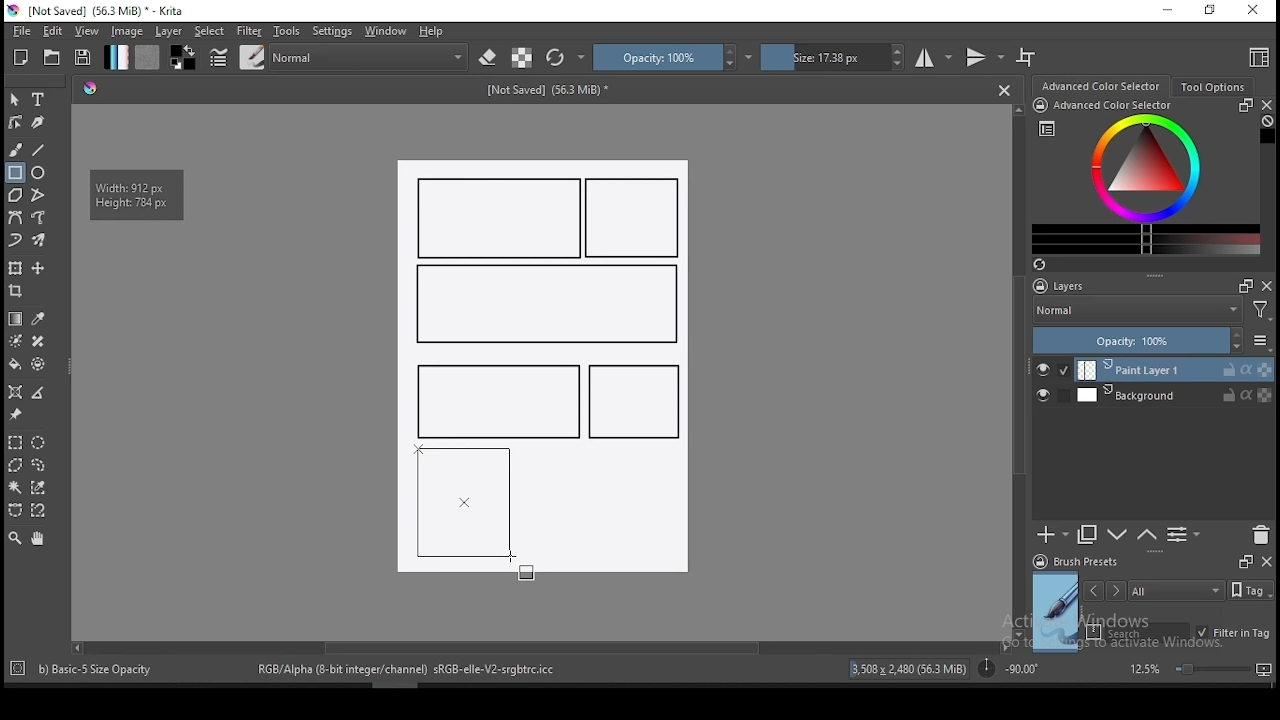 The height and width of the screenshot is (720, 1280). Describe the element at coordinates (210, 31) in the screenshot. I see `select` at that location.